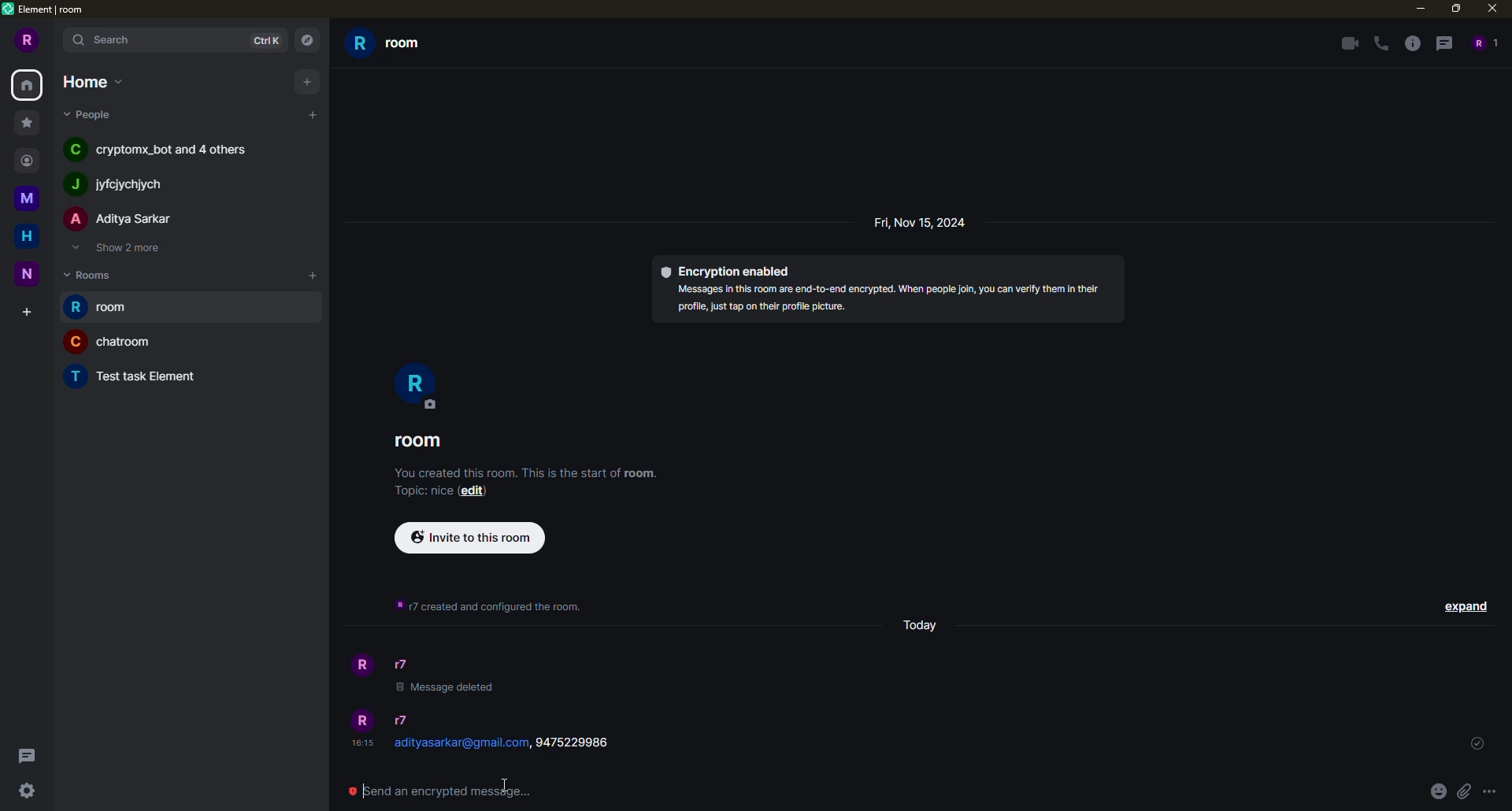  What do you see at coordinates (424, 439) in the screenshot?
I see `room` at bounding box center [424, 439].